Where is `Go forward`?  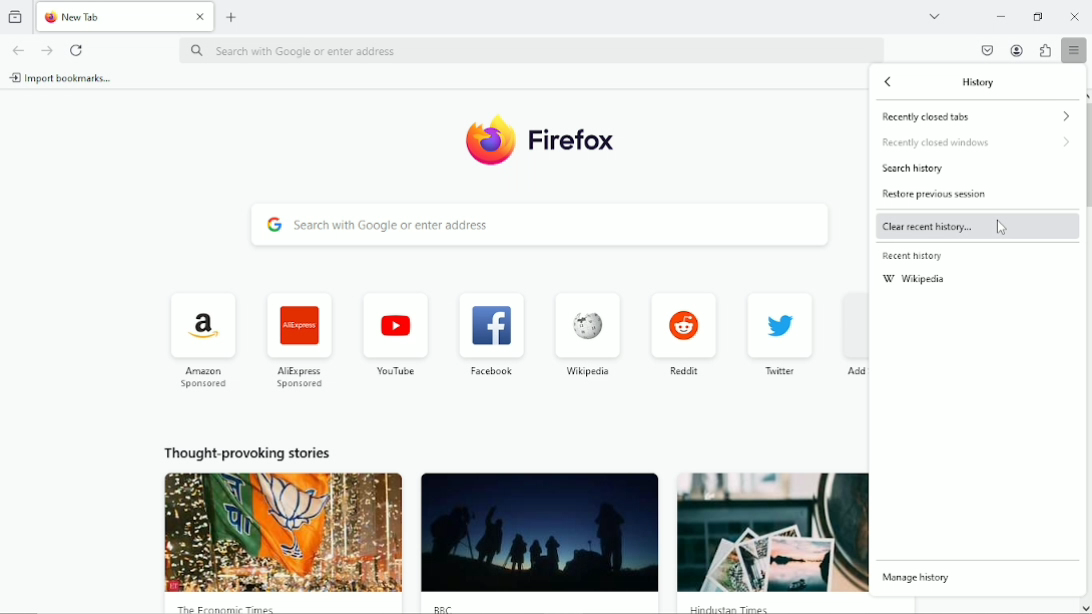
Go forward is located at coordinates (46, 50).